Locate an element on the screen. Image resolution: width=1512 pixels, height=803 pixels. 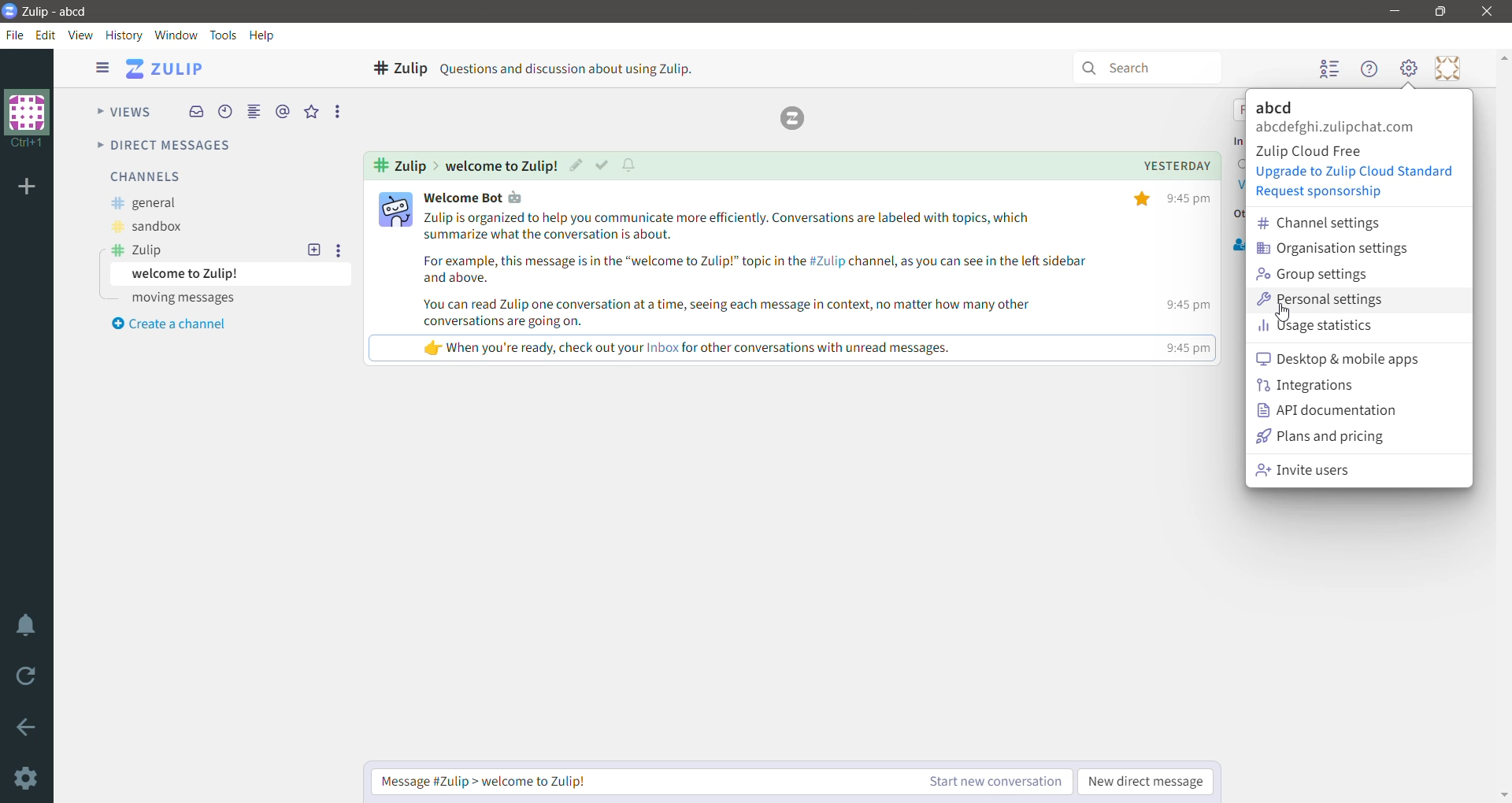
Message Zulip > welcome to zulip! is located at coordinates (642, 783).